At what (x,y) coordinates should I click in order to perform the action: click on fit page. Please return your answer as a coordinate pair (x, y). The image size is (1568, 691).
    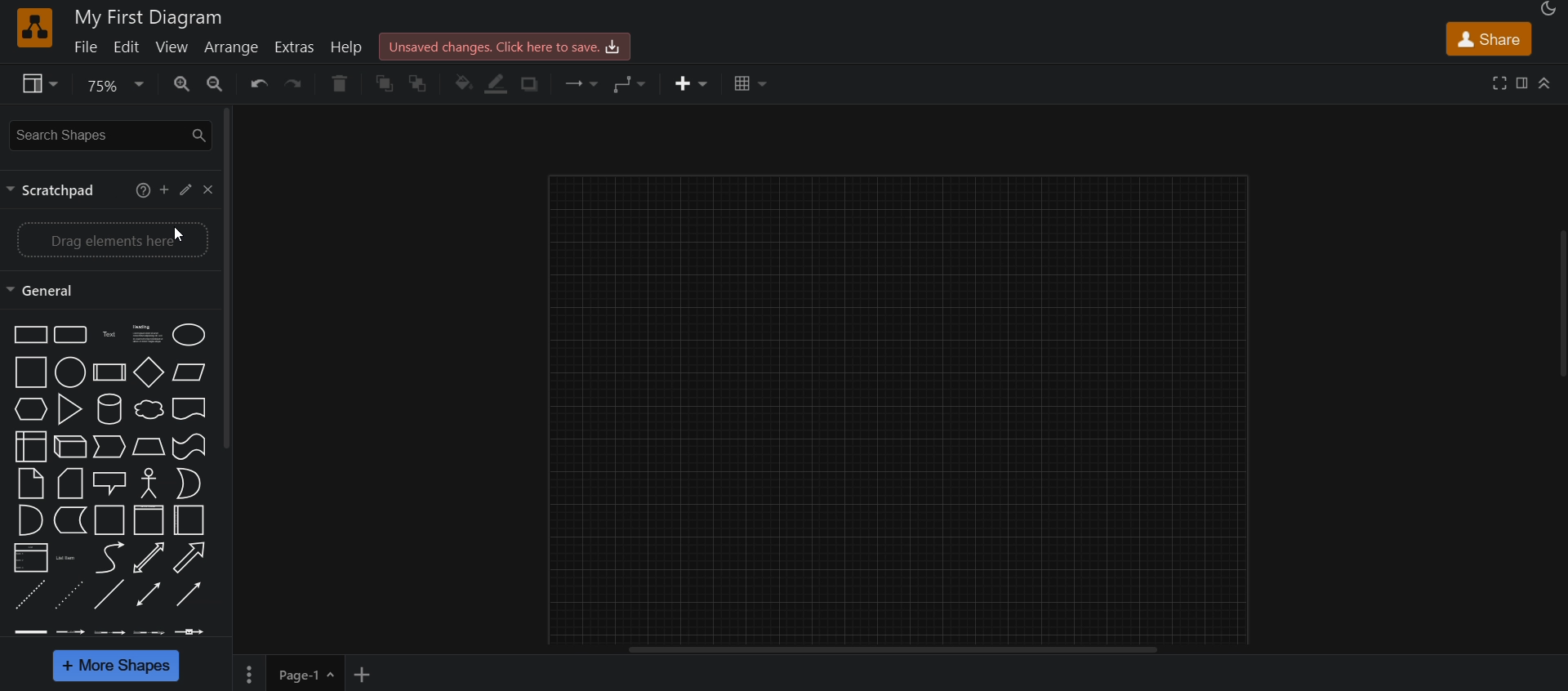
    Looking at the image, I should click on (155, 558).